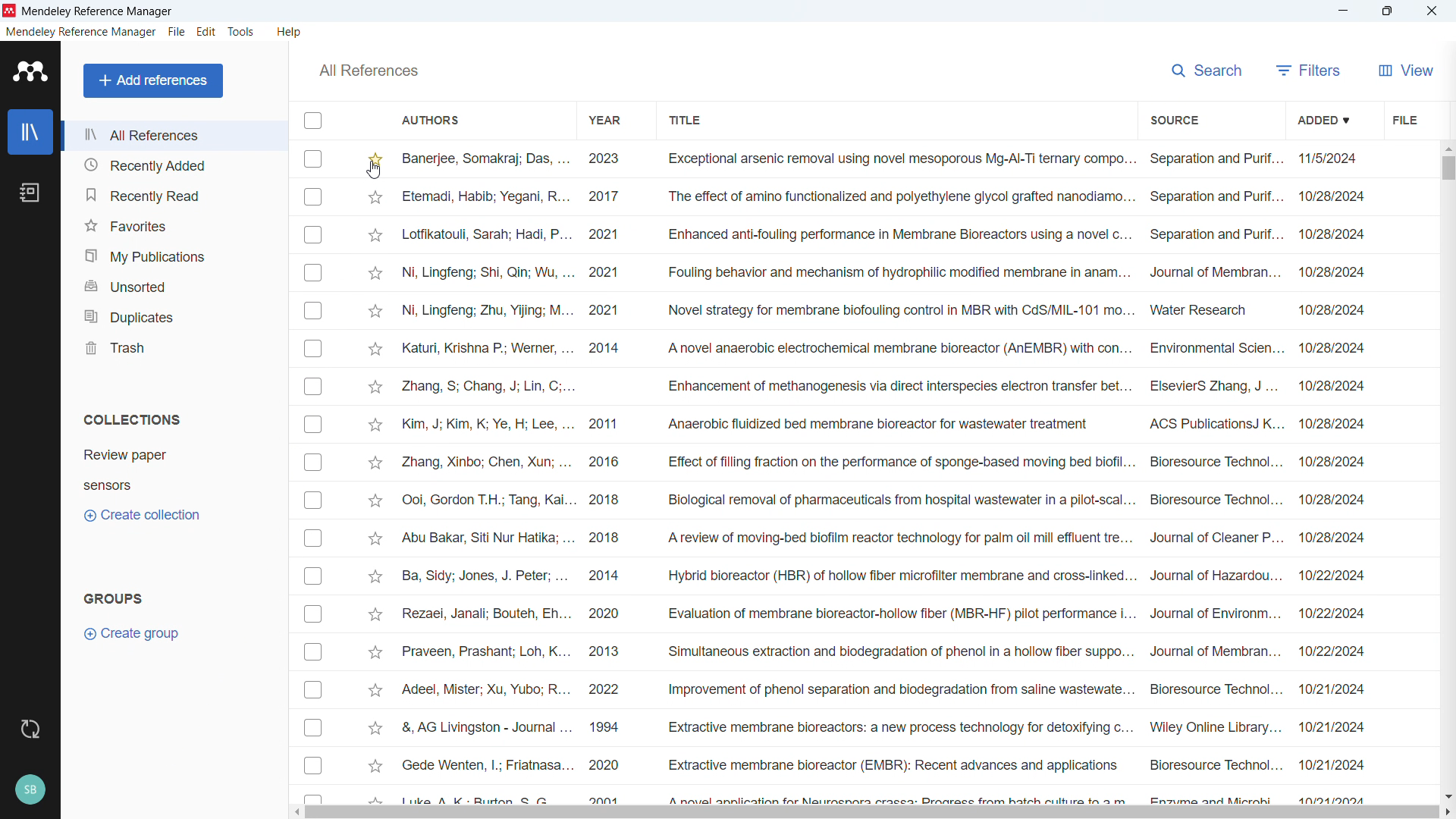  Describe the element at coordinates (1433, 11) in the screenshot. I see `Close ` at that location.